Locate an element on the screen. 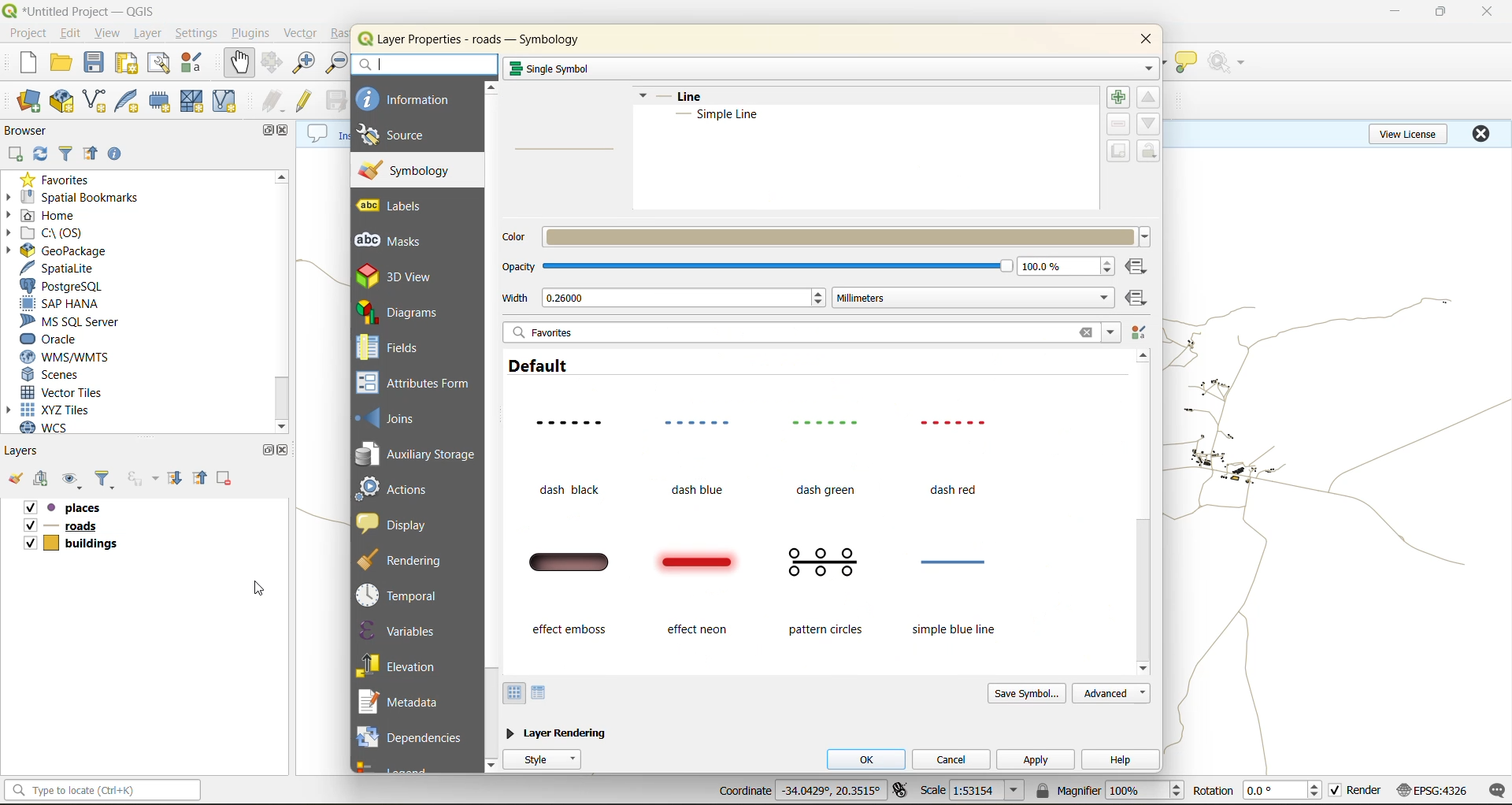 This screenshot has height=805, width=1512. wcs is located at coordinates (54, 428).